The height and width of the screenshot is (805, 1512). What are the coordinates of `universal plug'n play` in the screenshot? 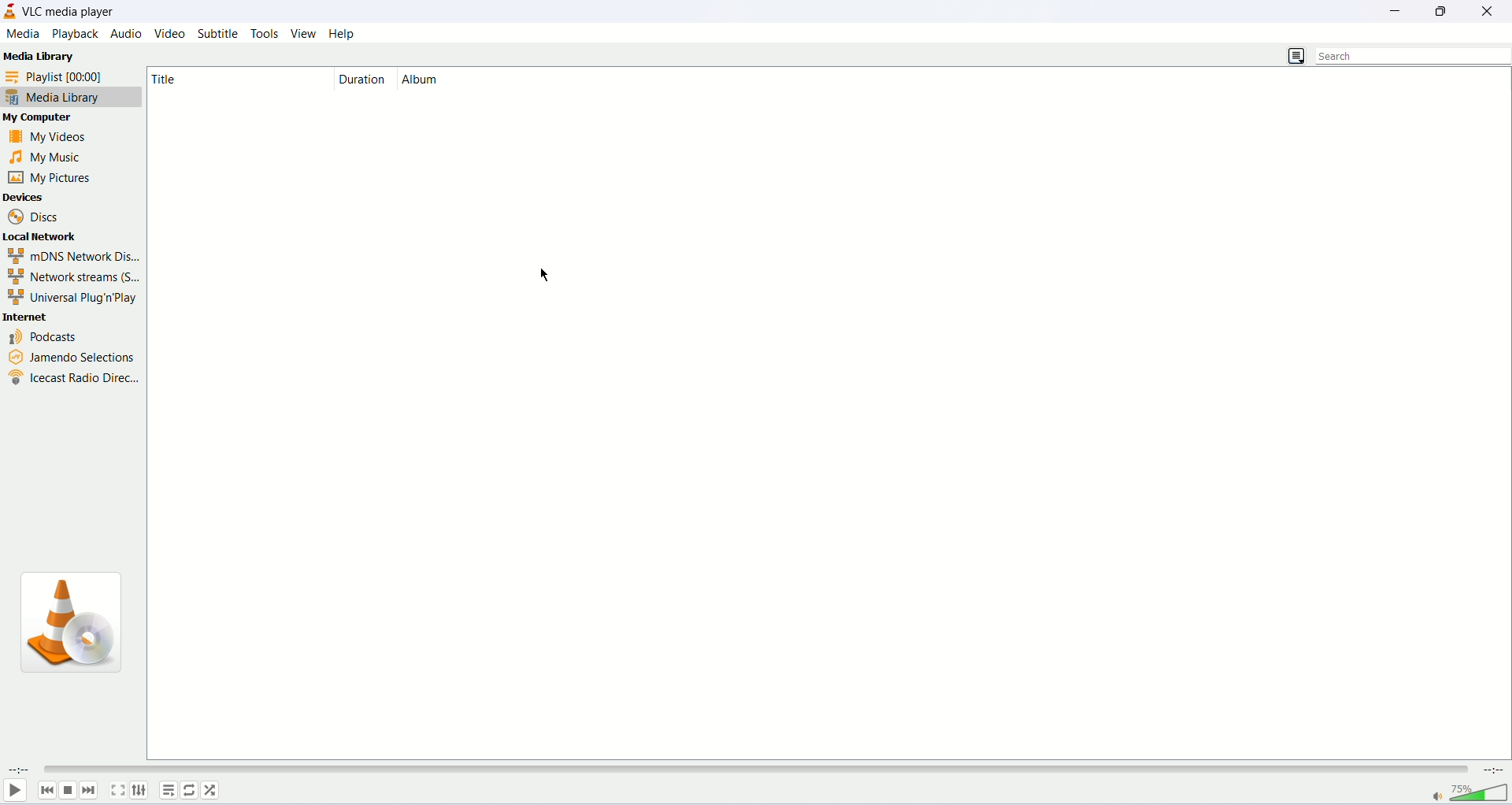 It's located at (69, 296).